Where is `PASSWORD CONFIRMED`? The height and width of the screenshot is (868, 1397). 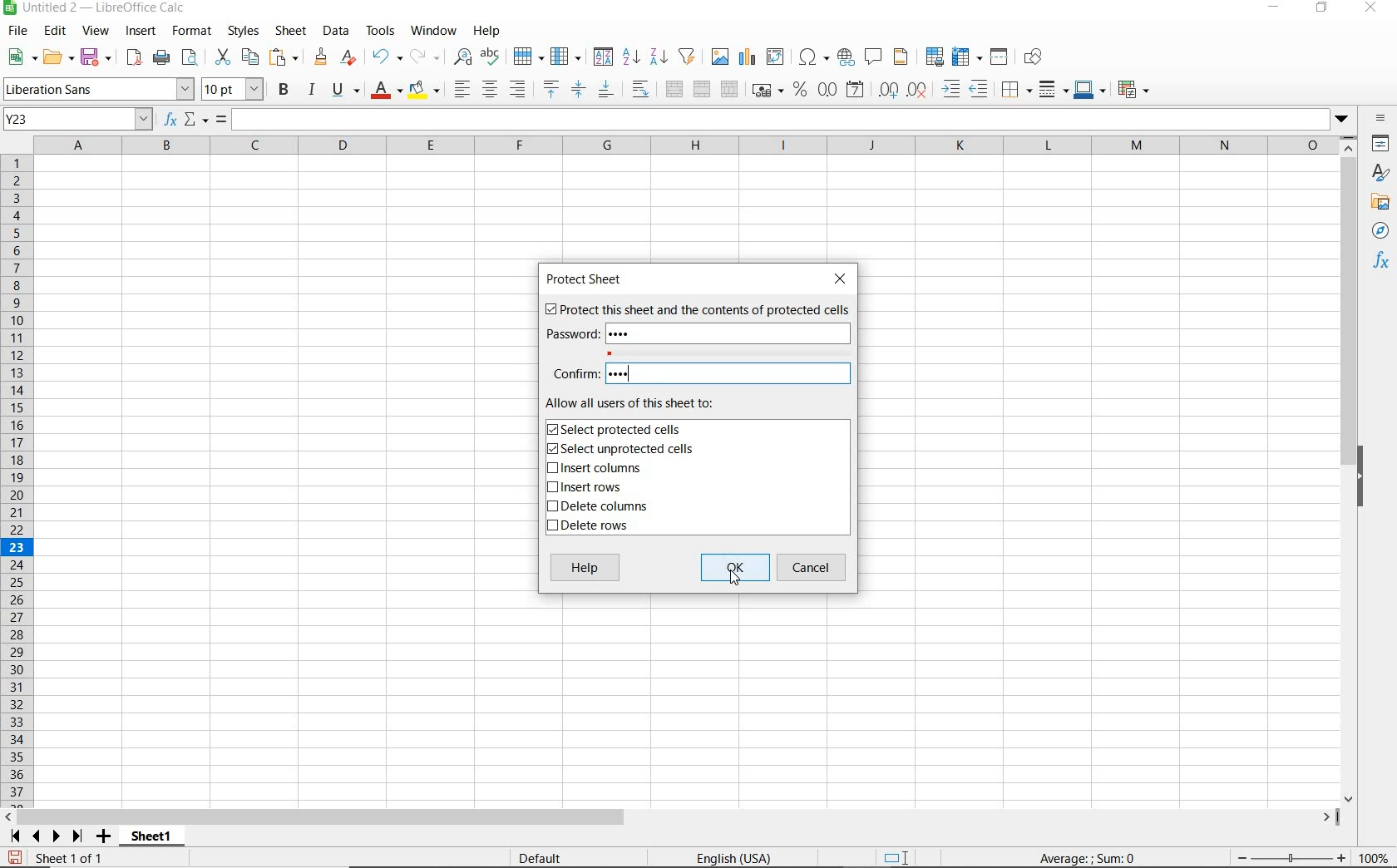
PASSWORD CONFIRMED is located at coordinates (626, 373).